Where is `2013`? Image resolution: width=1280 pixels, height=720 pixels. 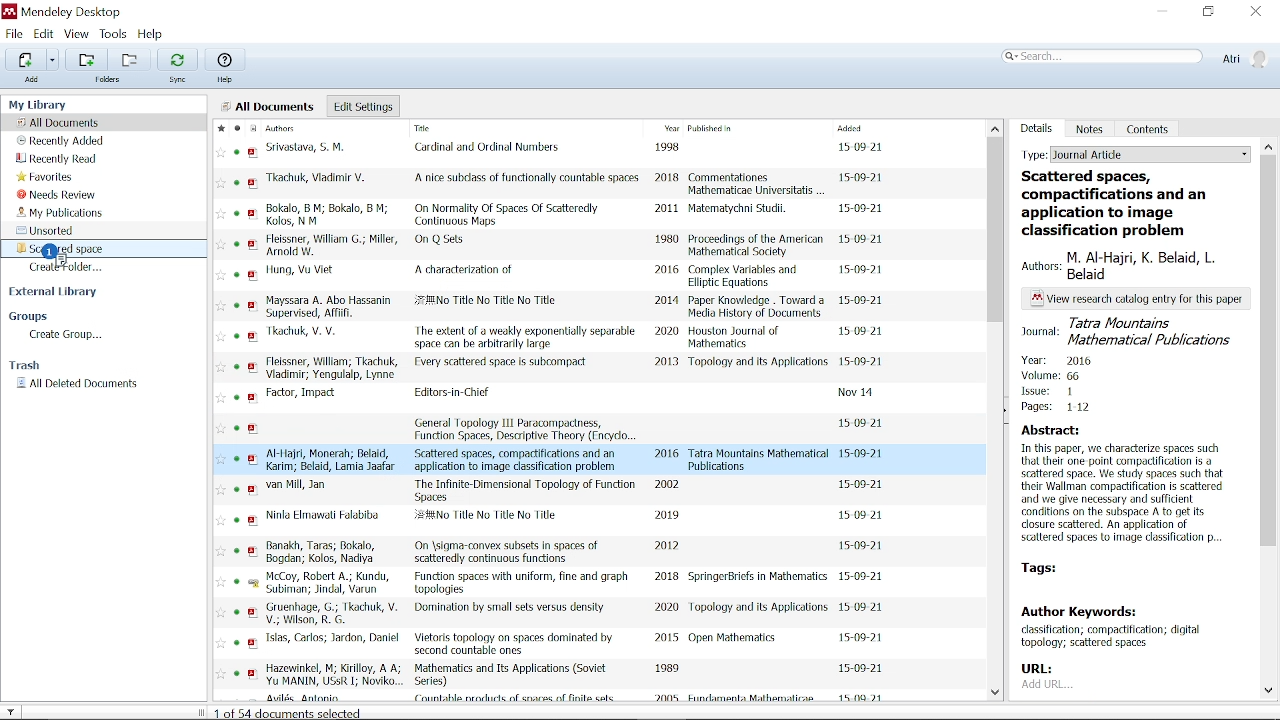
2013 is located at coordinates (667, 363).